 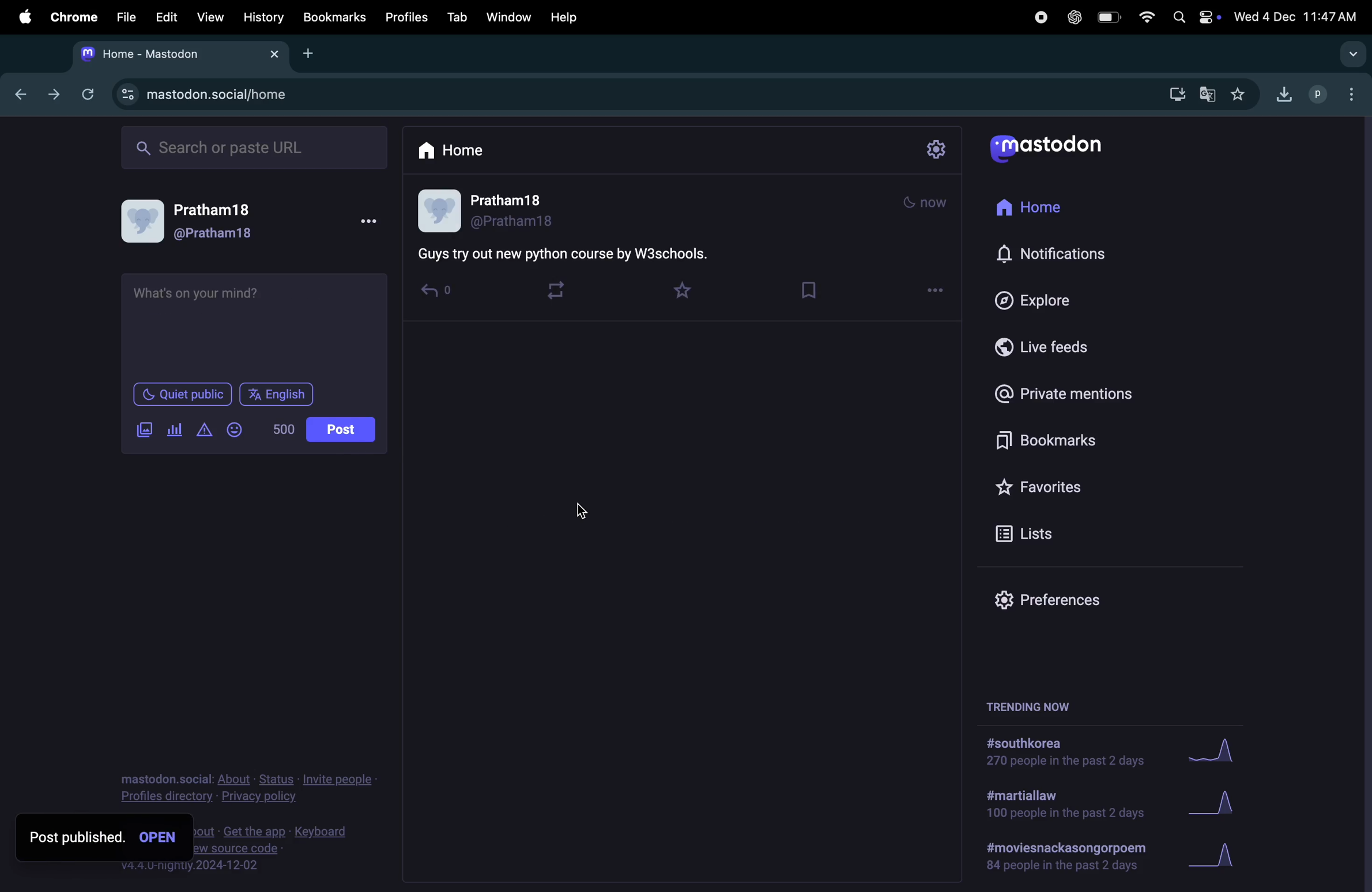 What do you see at coordinates (1046, 602) in the screenshot?
I see `preferences` at bounding box center [1046, 602].